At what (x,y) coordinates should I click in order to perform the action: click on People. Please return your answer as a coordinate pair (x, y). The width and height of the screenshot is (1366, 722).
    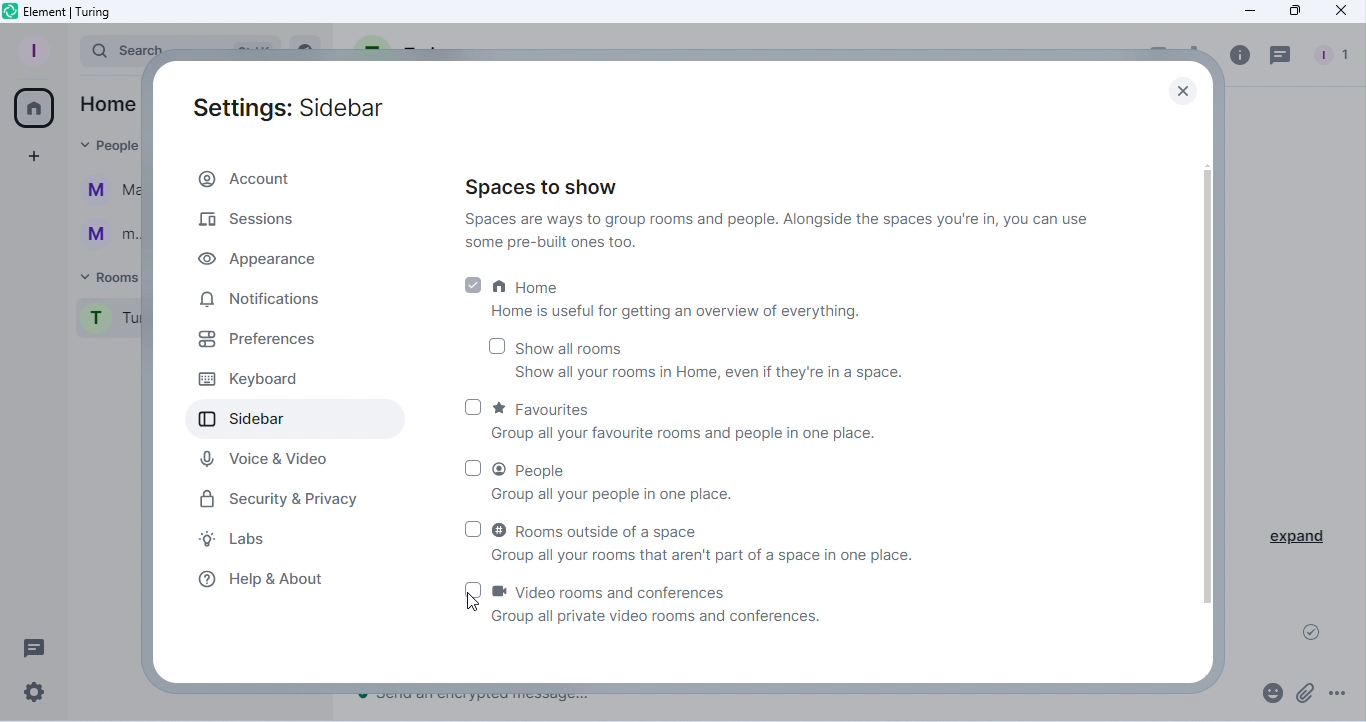
    Looking at the image, I should click on (108, 149).